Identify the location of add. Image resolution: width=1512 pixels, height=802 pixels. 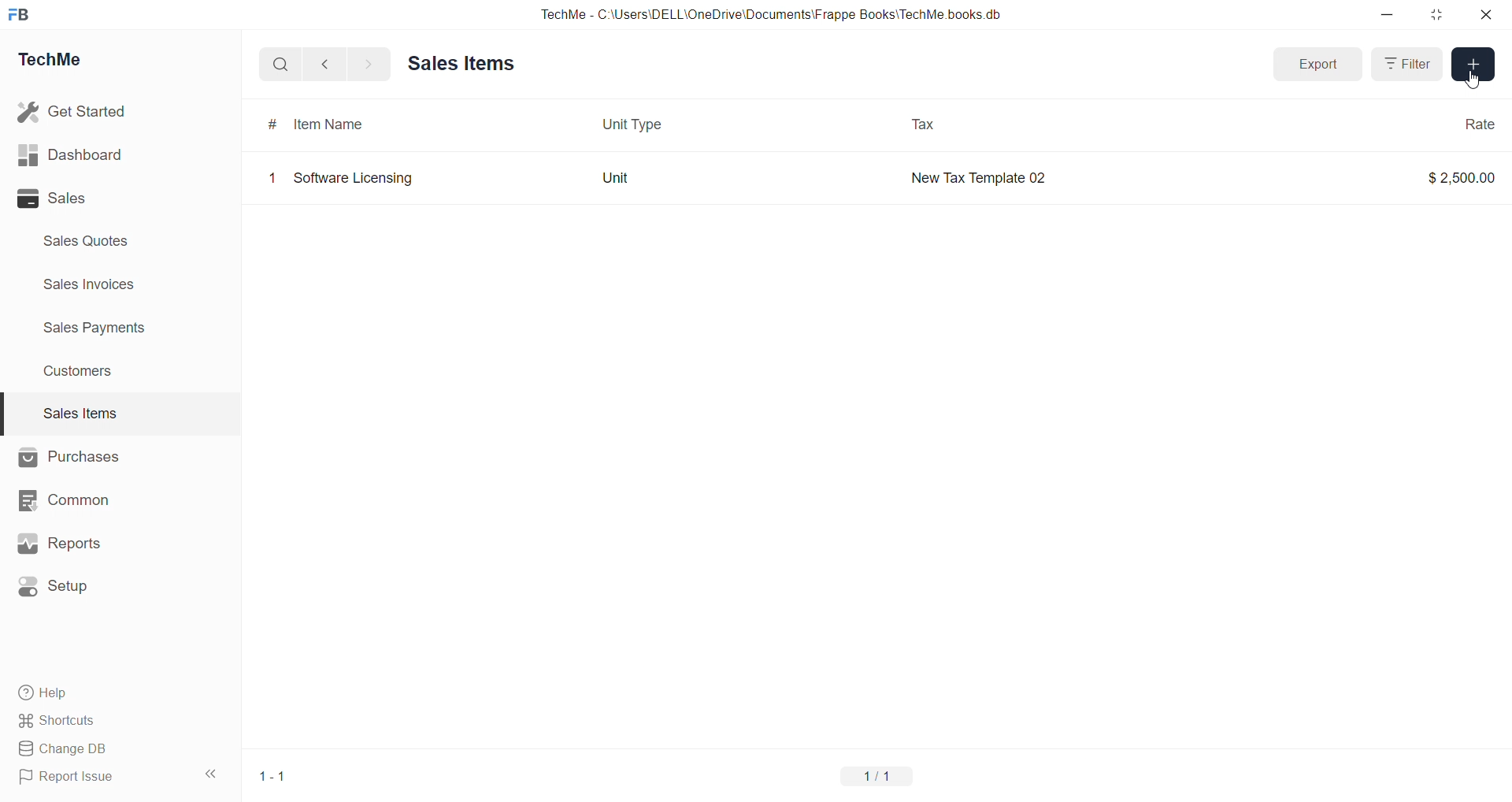
(1473, 64).